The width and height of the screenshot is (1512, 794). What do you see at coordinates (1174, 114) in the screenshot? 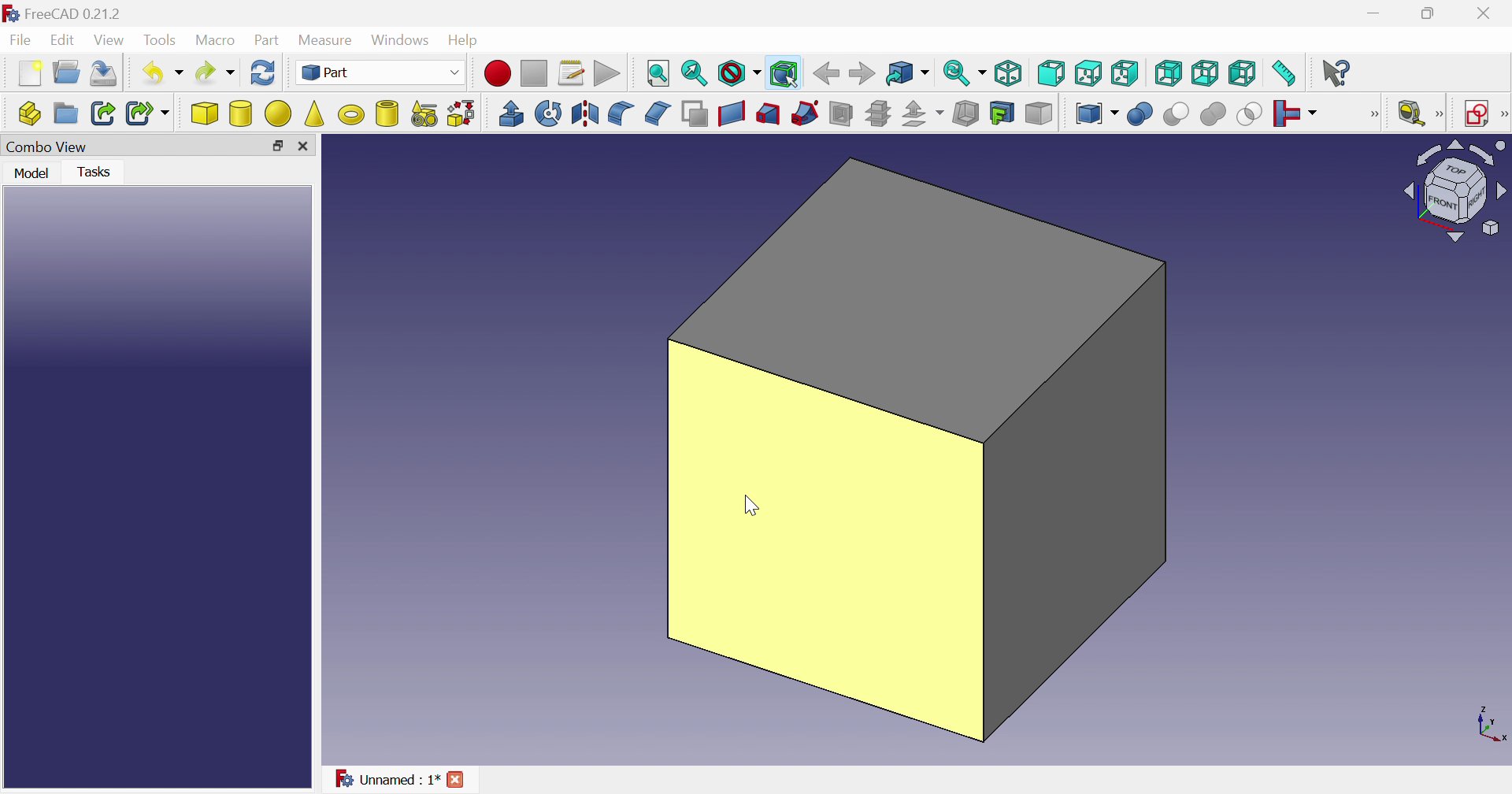
I see `Cut` at bounding box center [1174, 114].